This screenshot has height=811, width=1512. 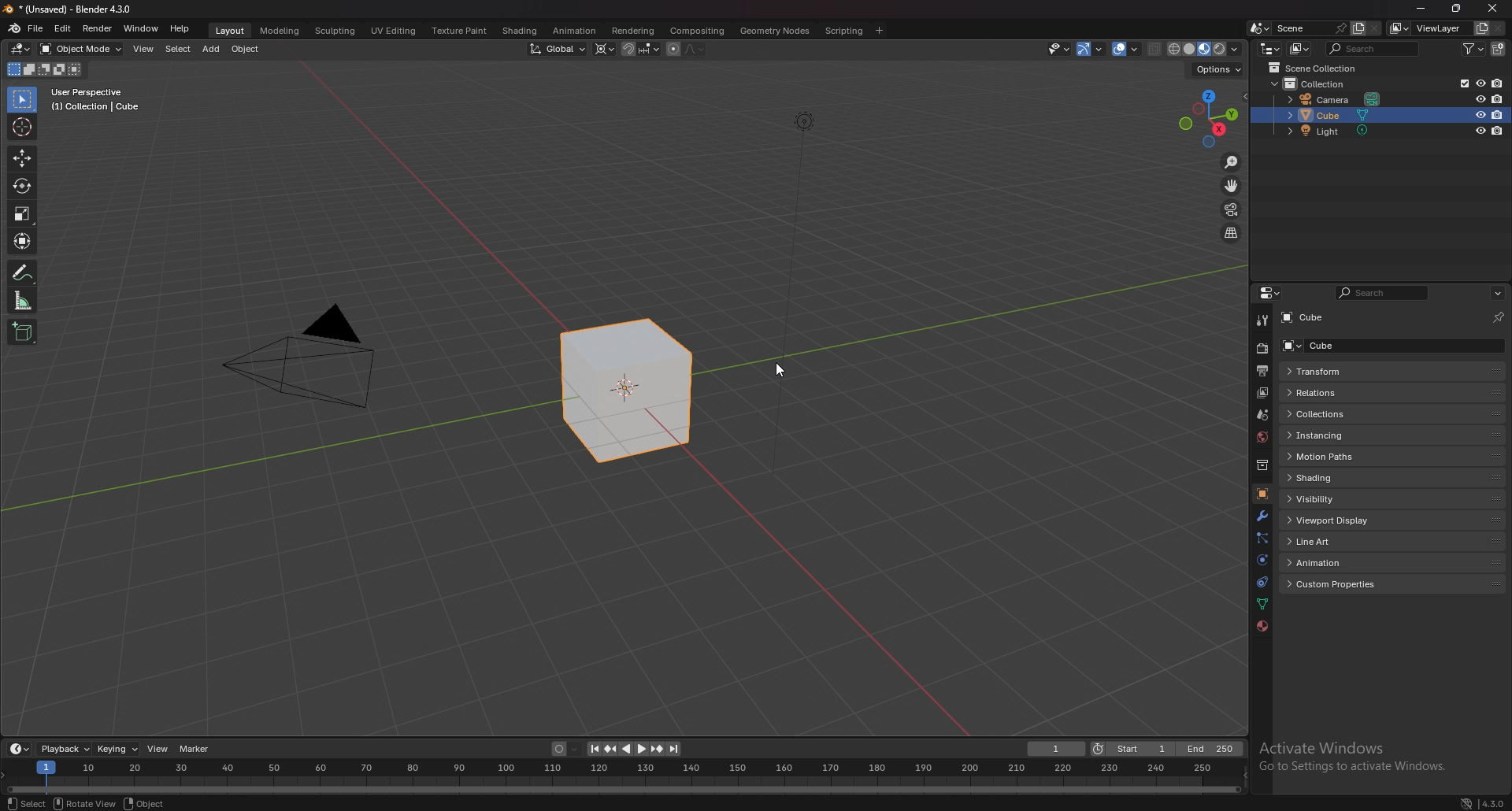 What do you see at coordinates (1479, 83) in the screenshot?
I see `hide in viewport` at bounding box center [1479, 83].